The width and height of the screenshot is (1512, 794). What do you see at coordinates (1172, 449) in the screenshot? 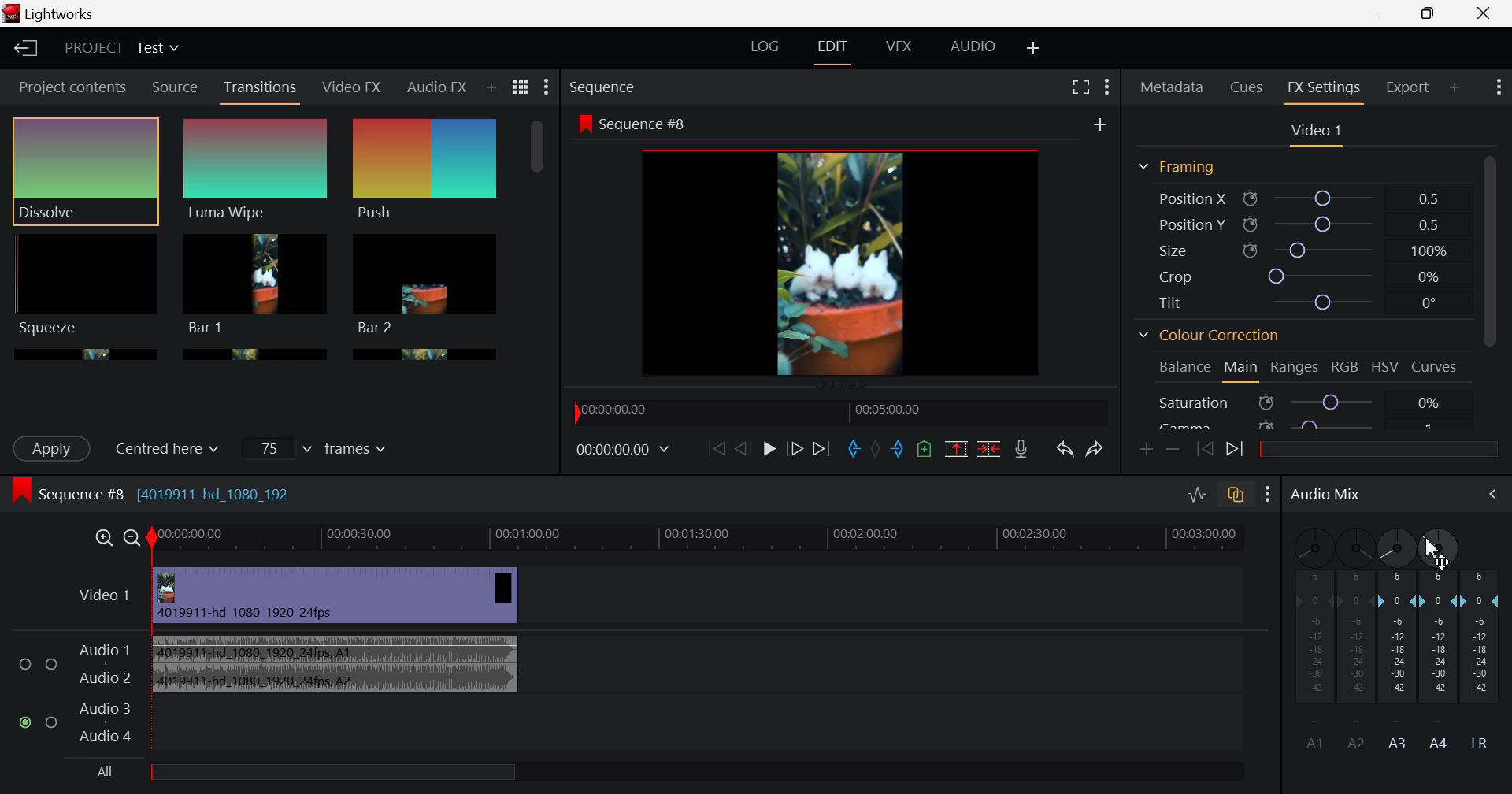
I see `Remove keyframe` at bounding box center [1172, 449].